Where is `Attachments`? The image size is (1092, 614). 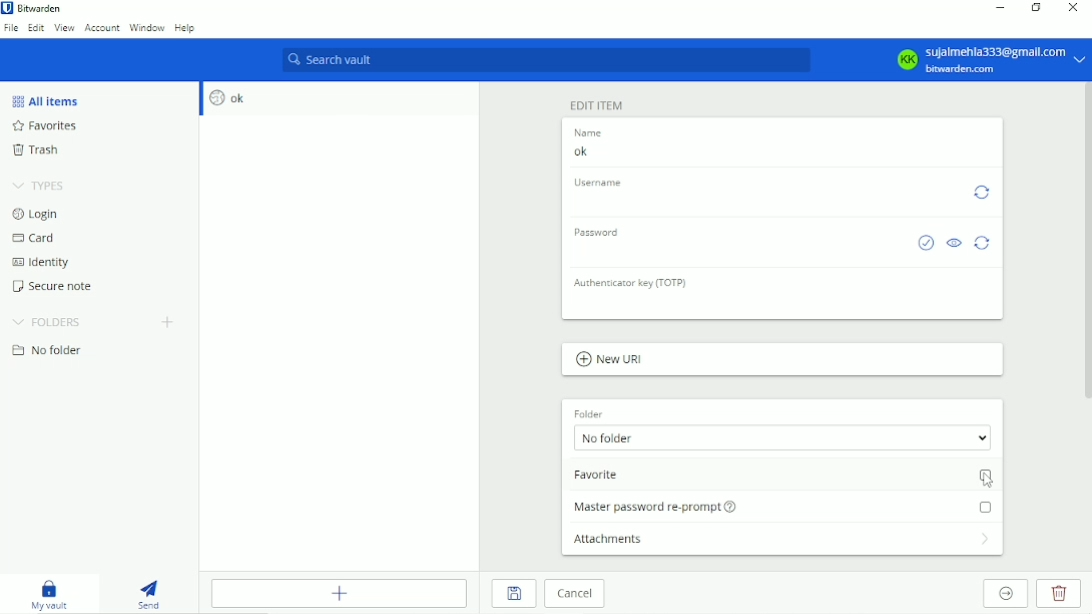
Attachments is located at coordinates (781, 539).